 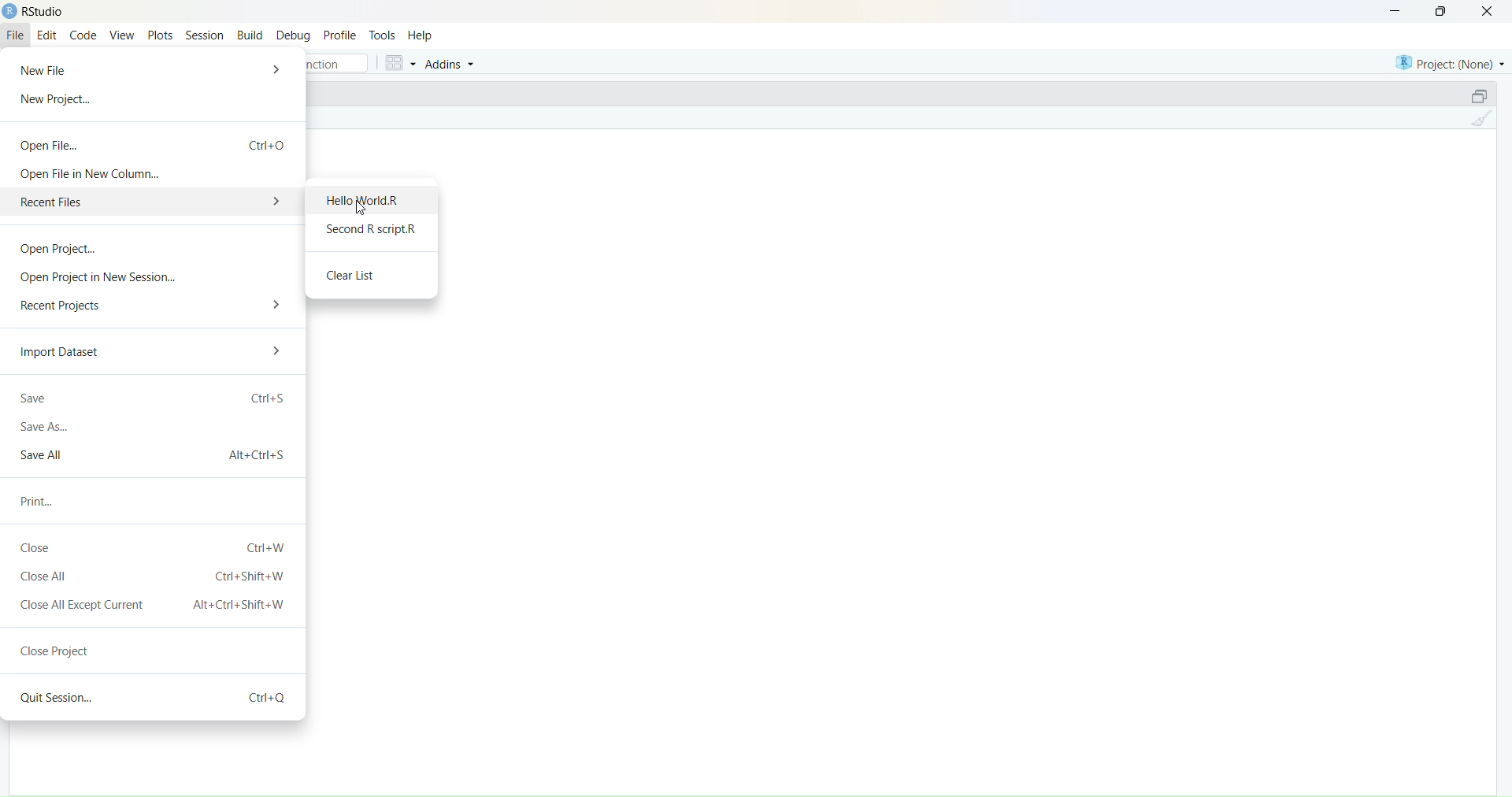 What do you see at coordinates (339, 35) in the screenshot?
I see `Profile` at bounding box center [339, 35].